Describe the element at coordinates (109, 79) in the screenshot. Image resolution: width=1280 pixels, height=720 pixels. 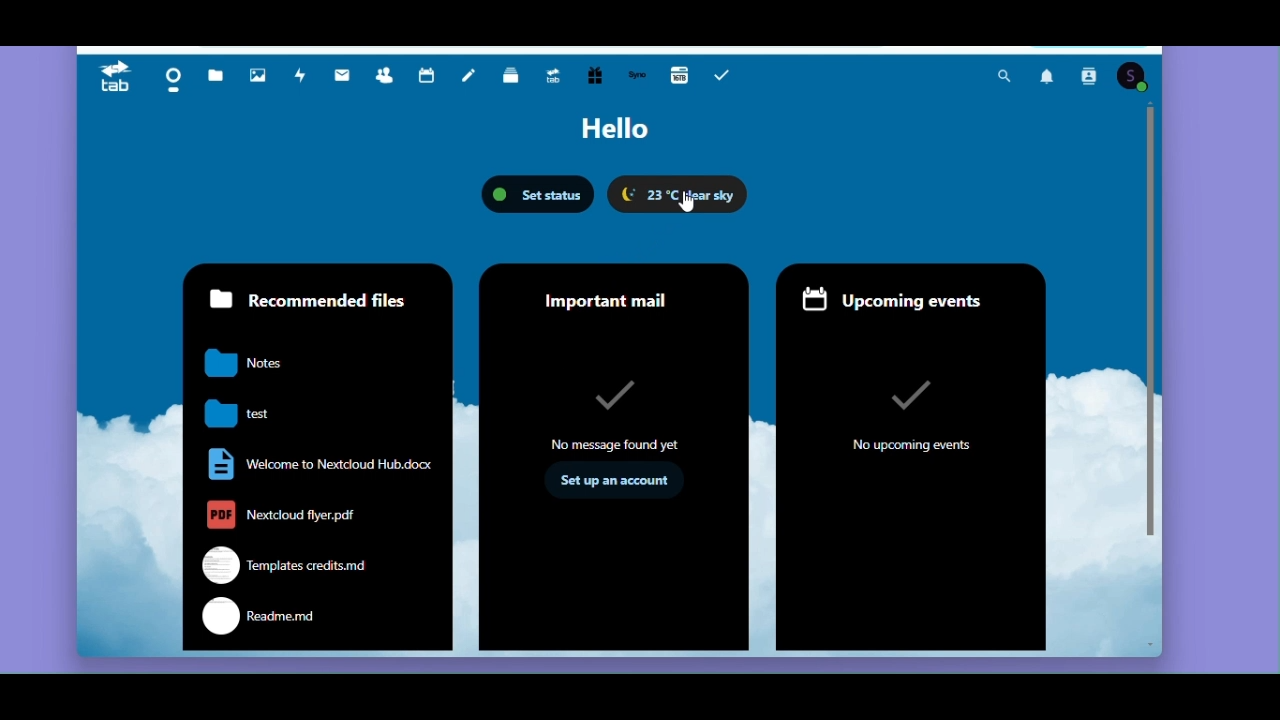
I see `Tab ` at that location.